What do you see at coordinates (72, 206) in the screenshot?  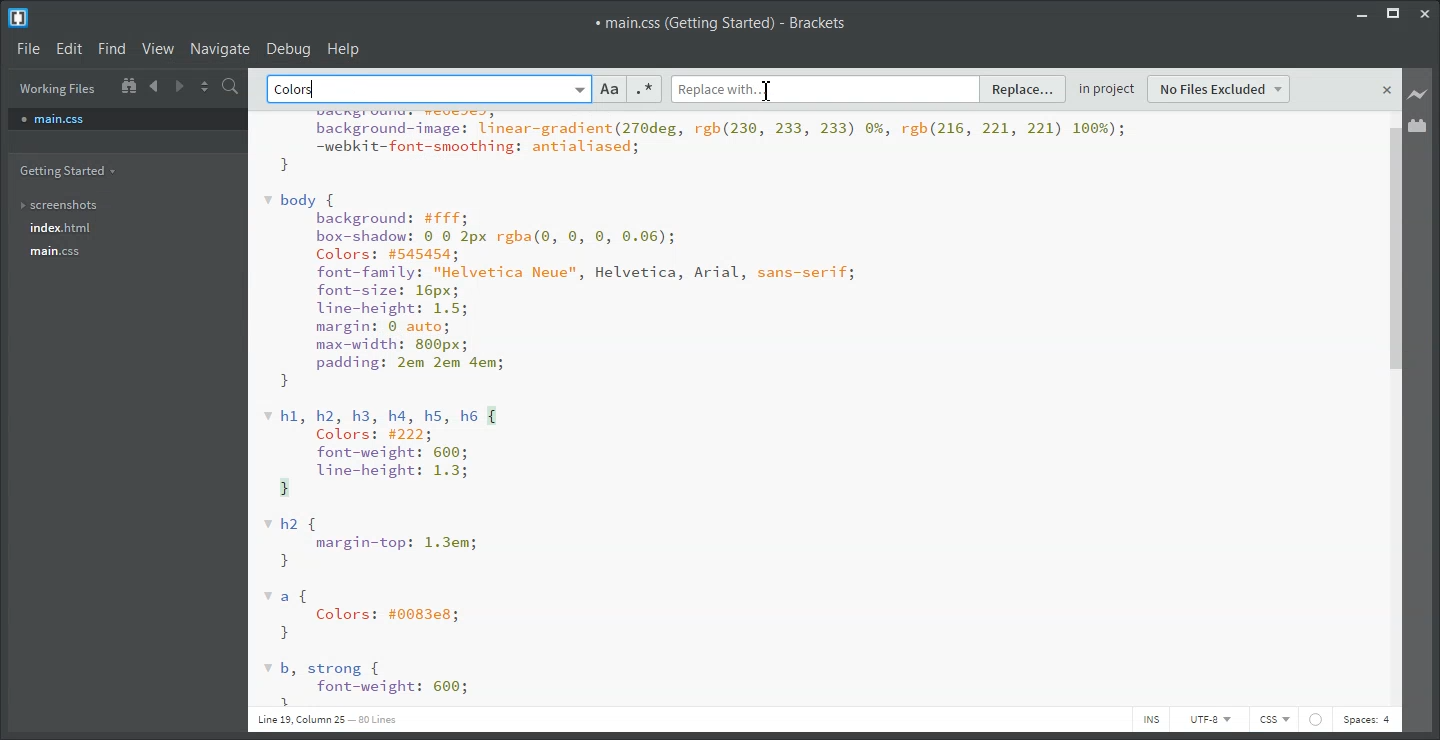 I see `screenshots` at bounding box center [72, 206].